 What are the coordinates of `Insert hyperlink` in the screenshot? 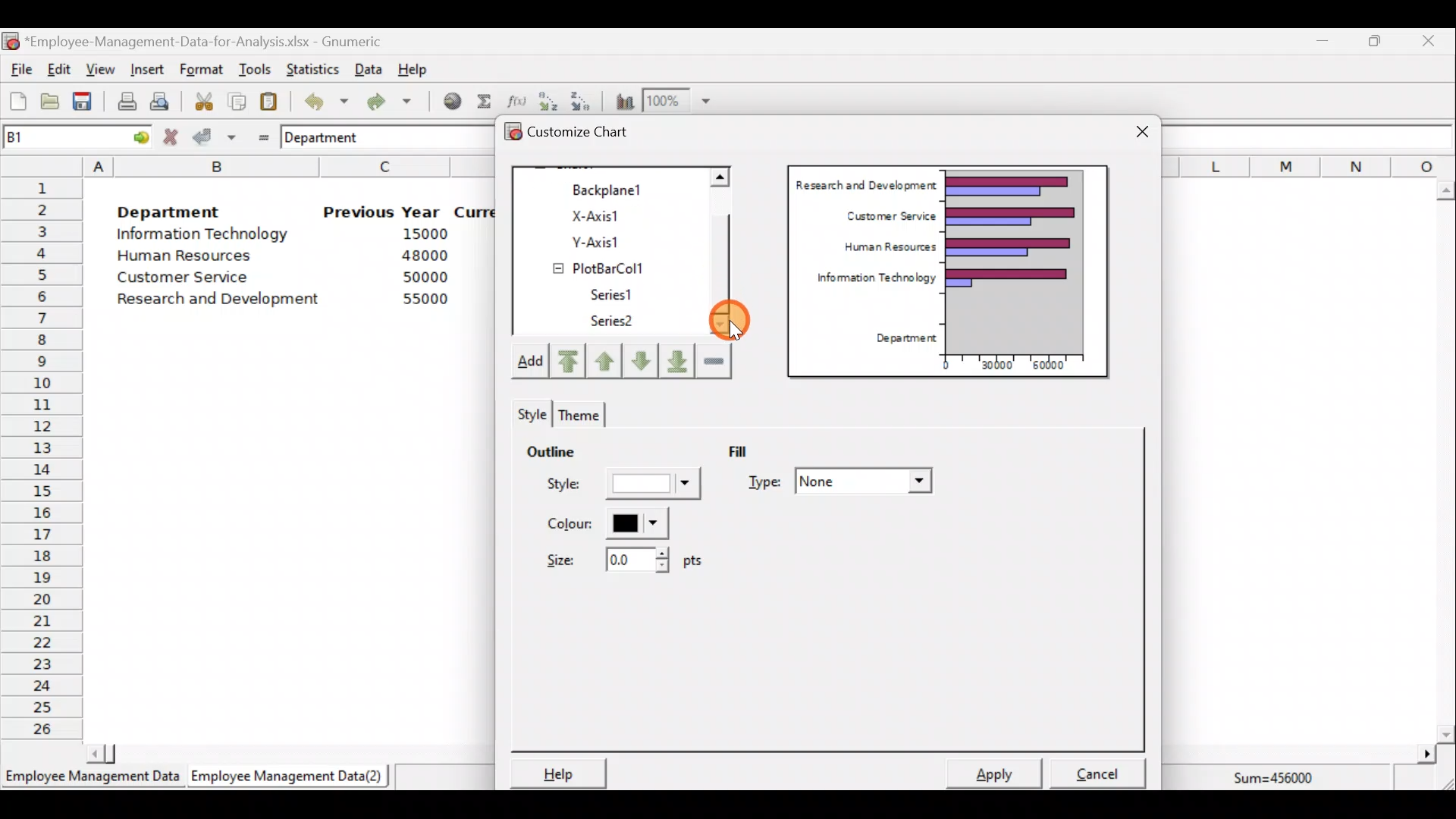 It's located at (447, 100).